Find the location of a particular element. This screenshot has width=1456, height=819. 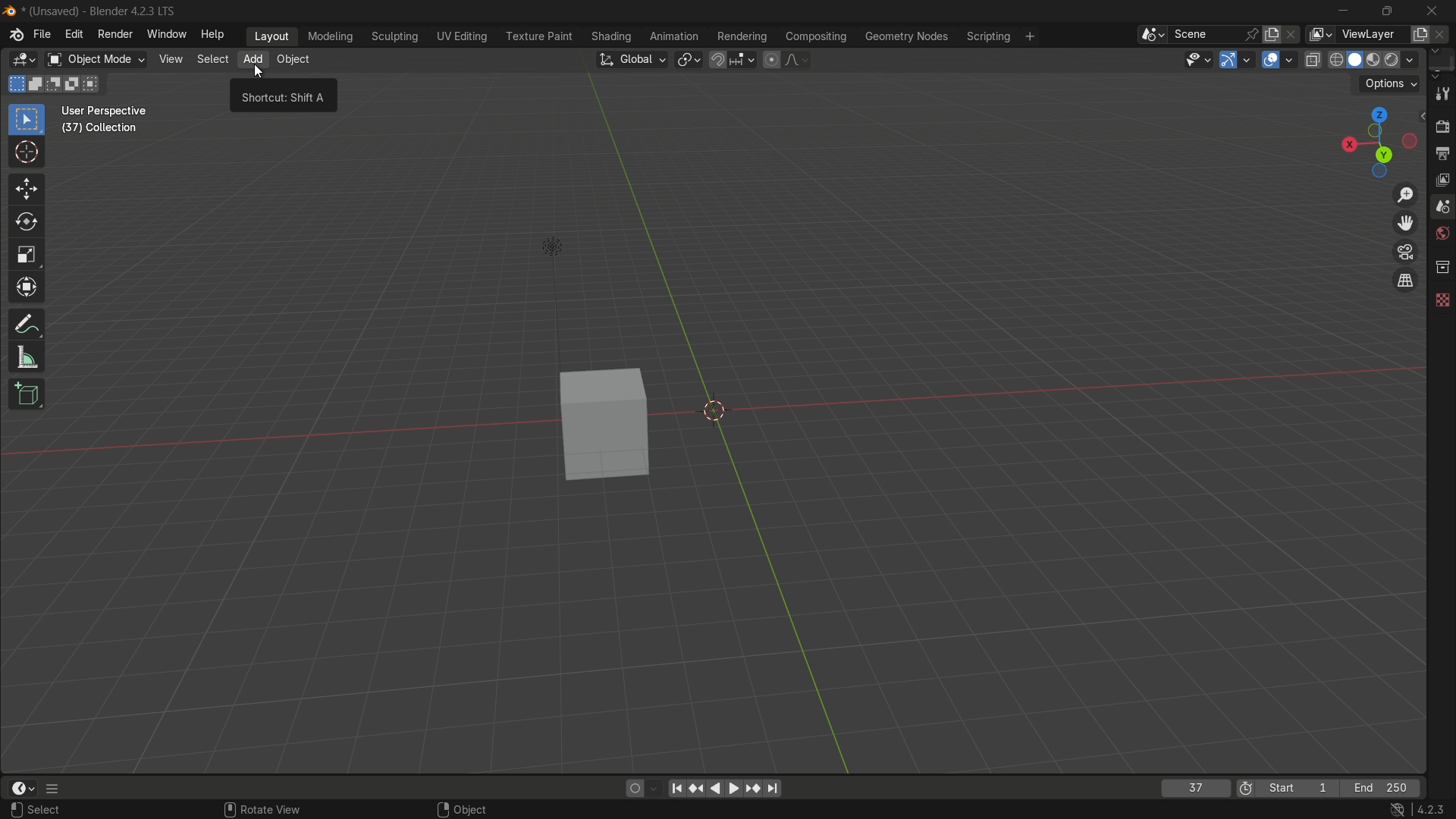

modeling menu is located at coordinates (331, 37).